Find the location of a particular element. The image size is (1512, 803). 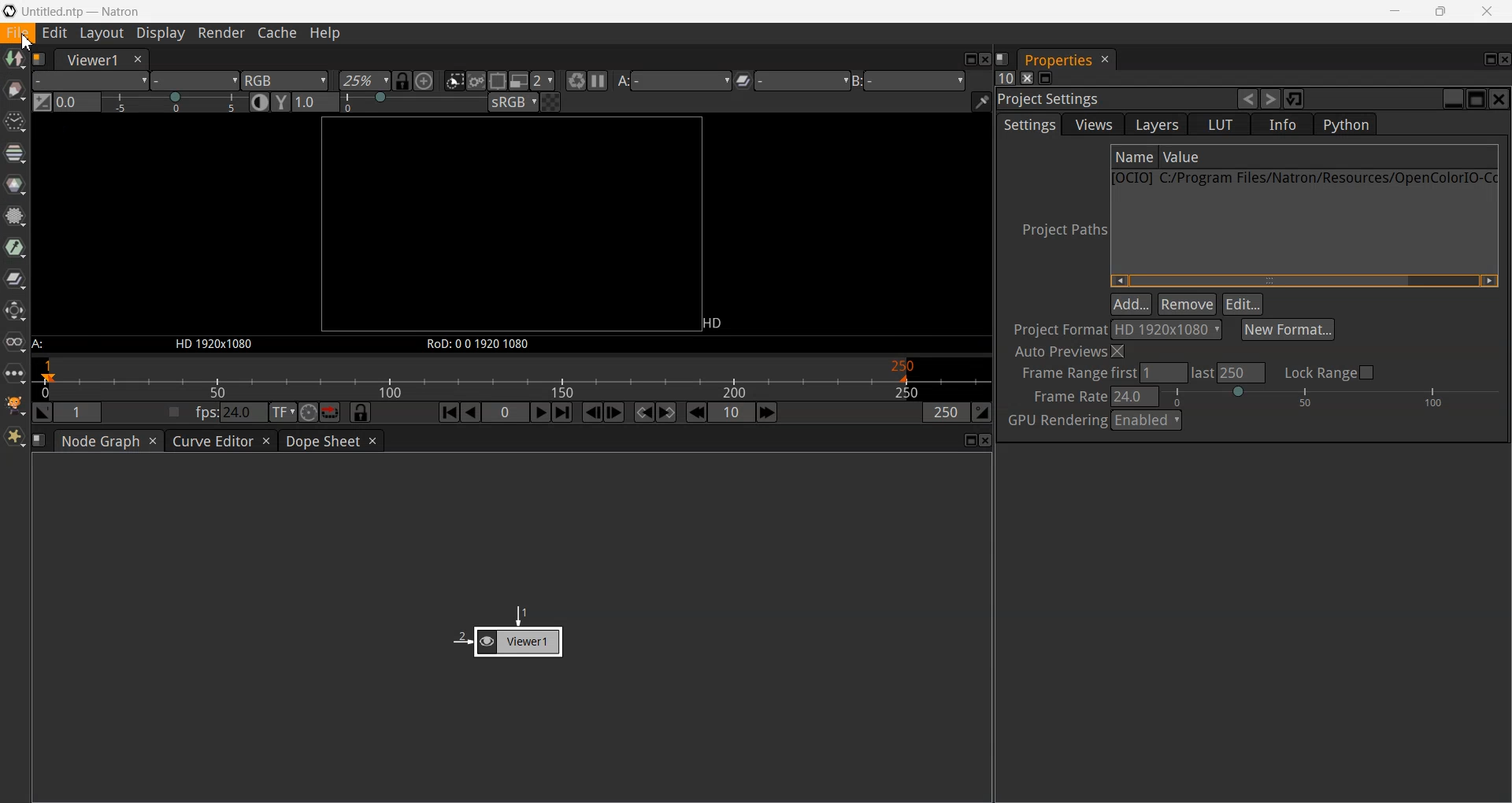

Minimize is located at coordinates (1455, 99).